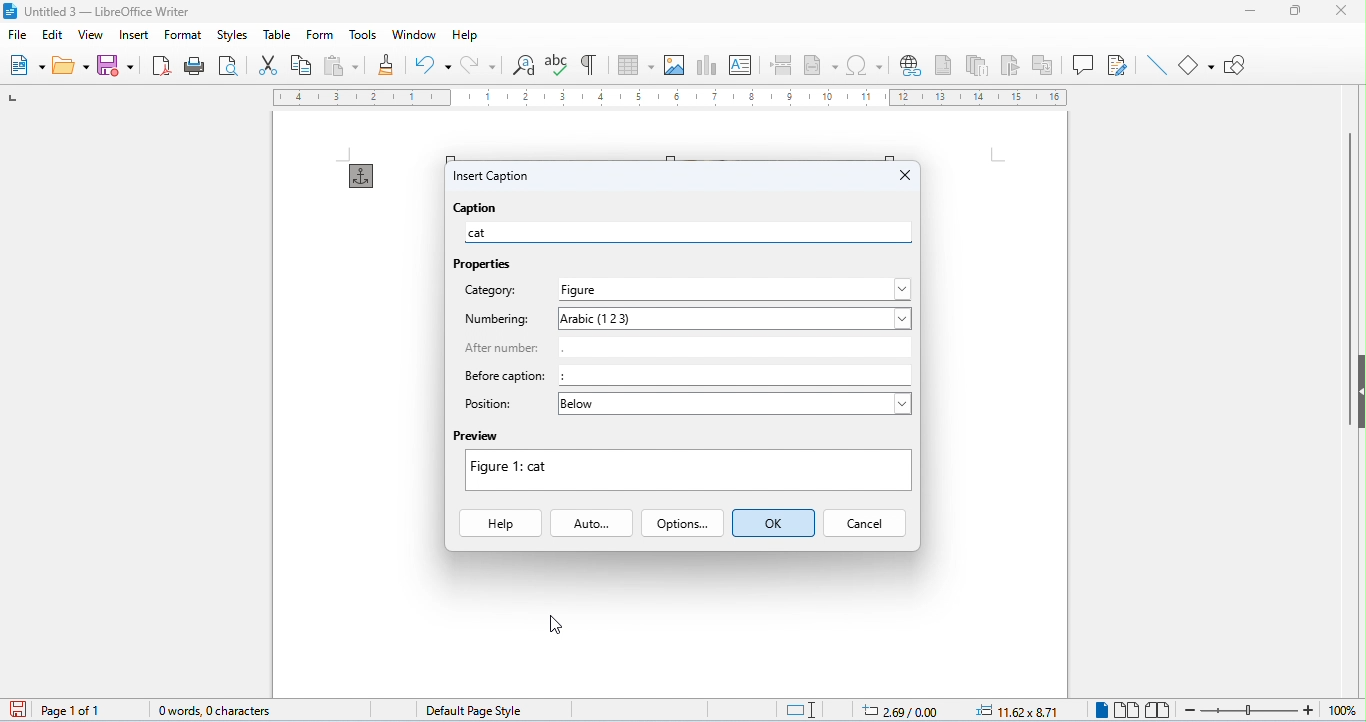 This screenshot has height=722, width=1366. Describe the element at coordinates (910, 66) in the screenshot. I see `insert hyperlink` at that location.